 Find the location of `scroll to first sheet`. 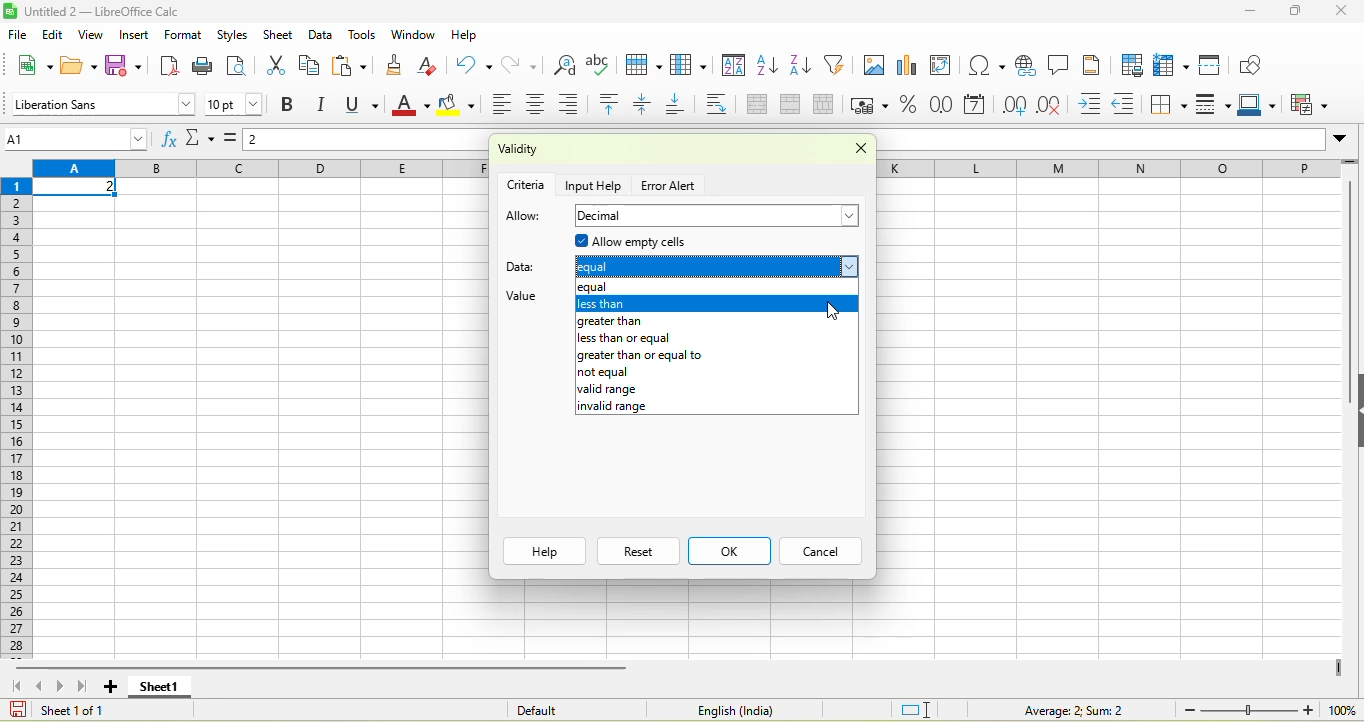

scroll to first sheet is located at coordinates (15, 685).